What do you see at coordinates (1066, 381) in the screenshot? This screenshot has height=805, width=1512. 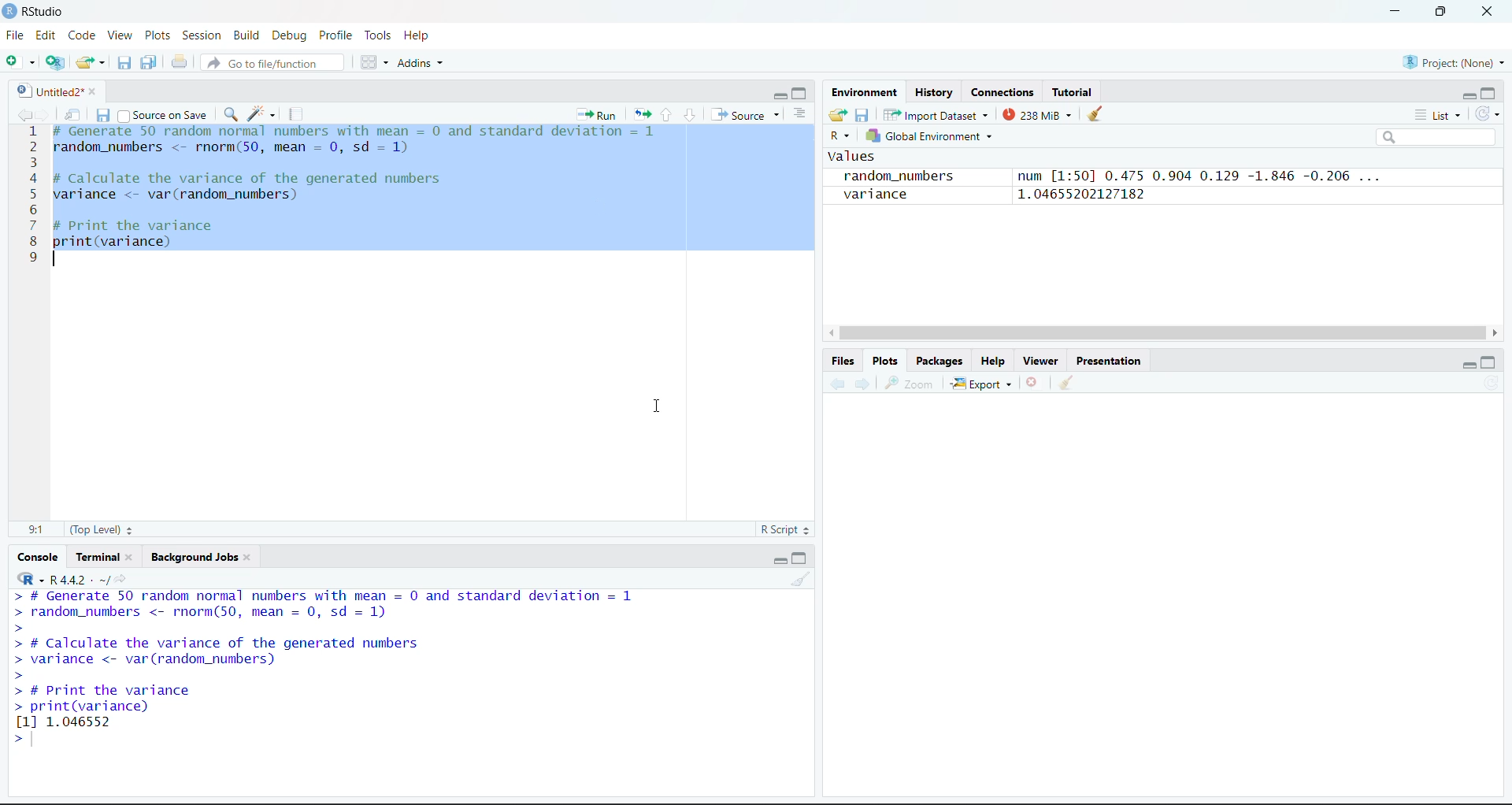 I see `clear` at bounding box center [1066, 381].